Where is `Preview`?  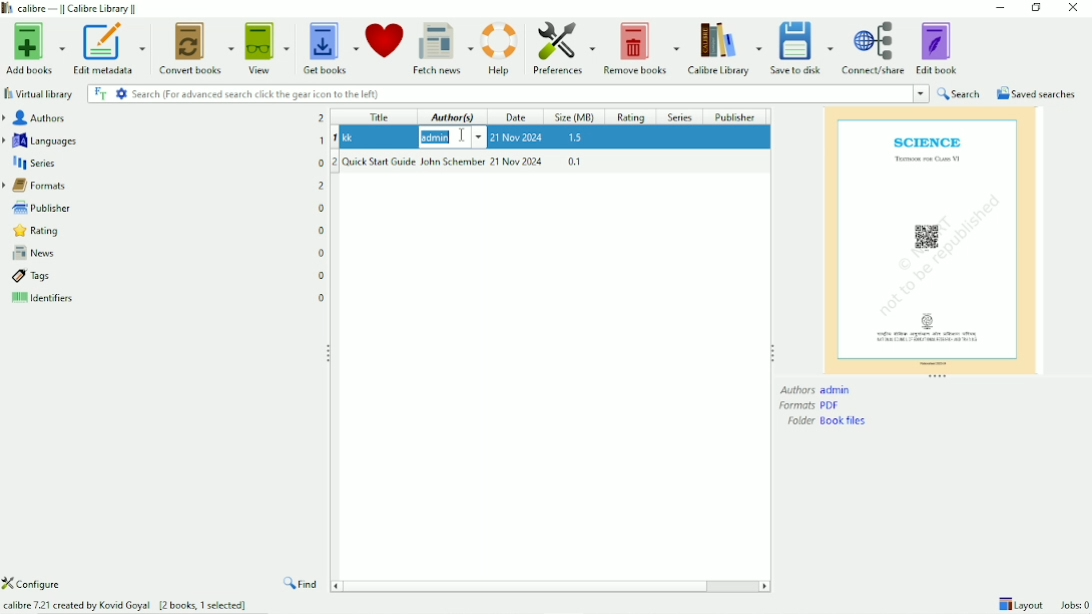 Preview is located at coordinates (932, 239).